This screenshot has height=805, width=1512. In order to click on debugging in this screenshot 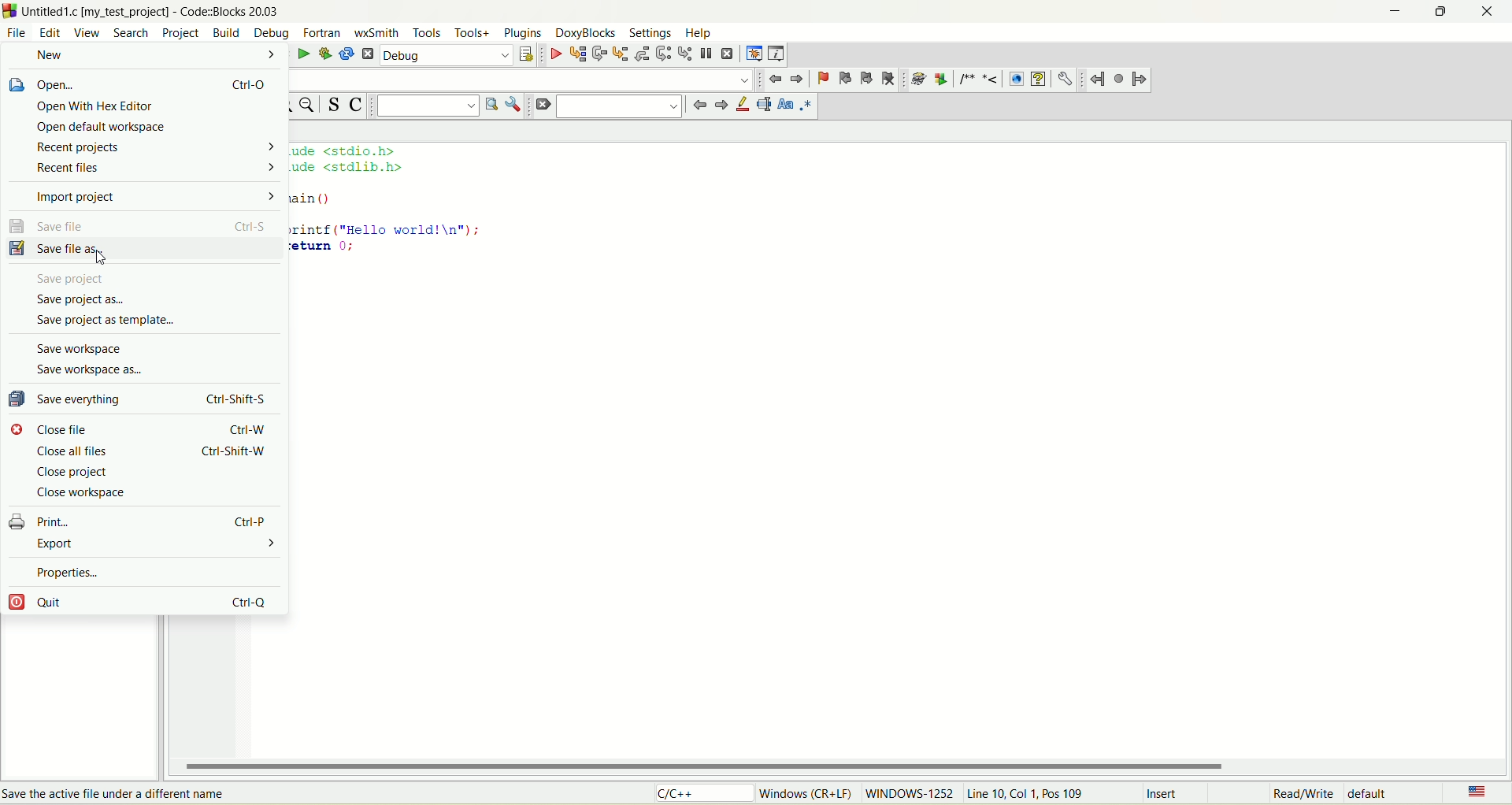, I will do `click(754, 54)`.